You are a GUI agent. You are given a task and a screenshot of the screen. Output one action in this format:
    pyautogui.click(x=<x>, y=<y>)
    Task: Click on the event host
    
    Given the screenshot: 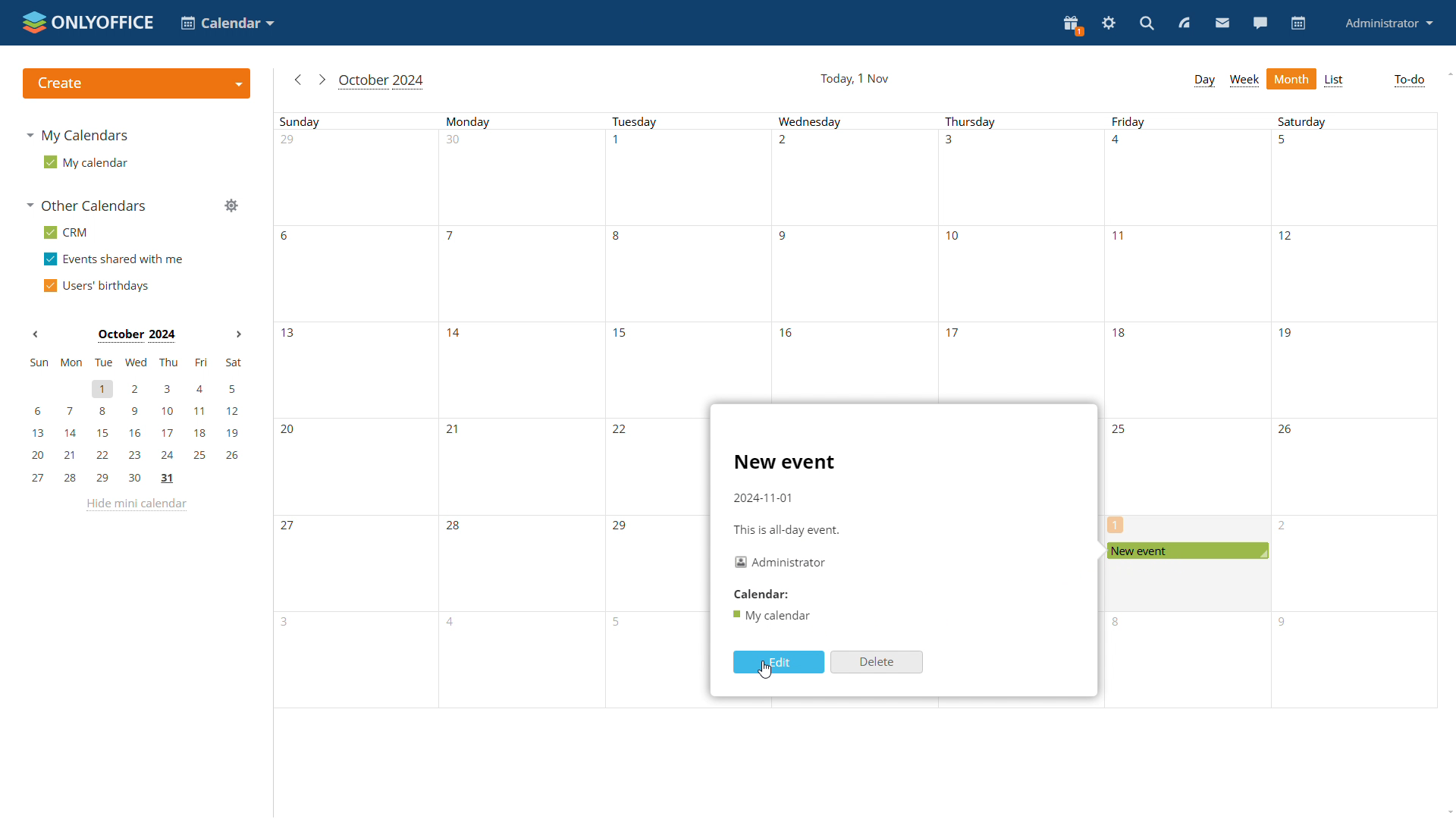 What is the action you would take?
    pyautogui.click(x=783, y=562)
    